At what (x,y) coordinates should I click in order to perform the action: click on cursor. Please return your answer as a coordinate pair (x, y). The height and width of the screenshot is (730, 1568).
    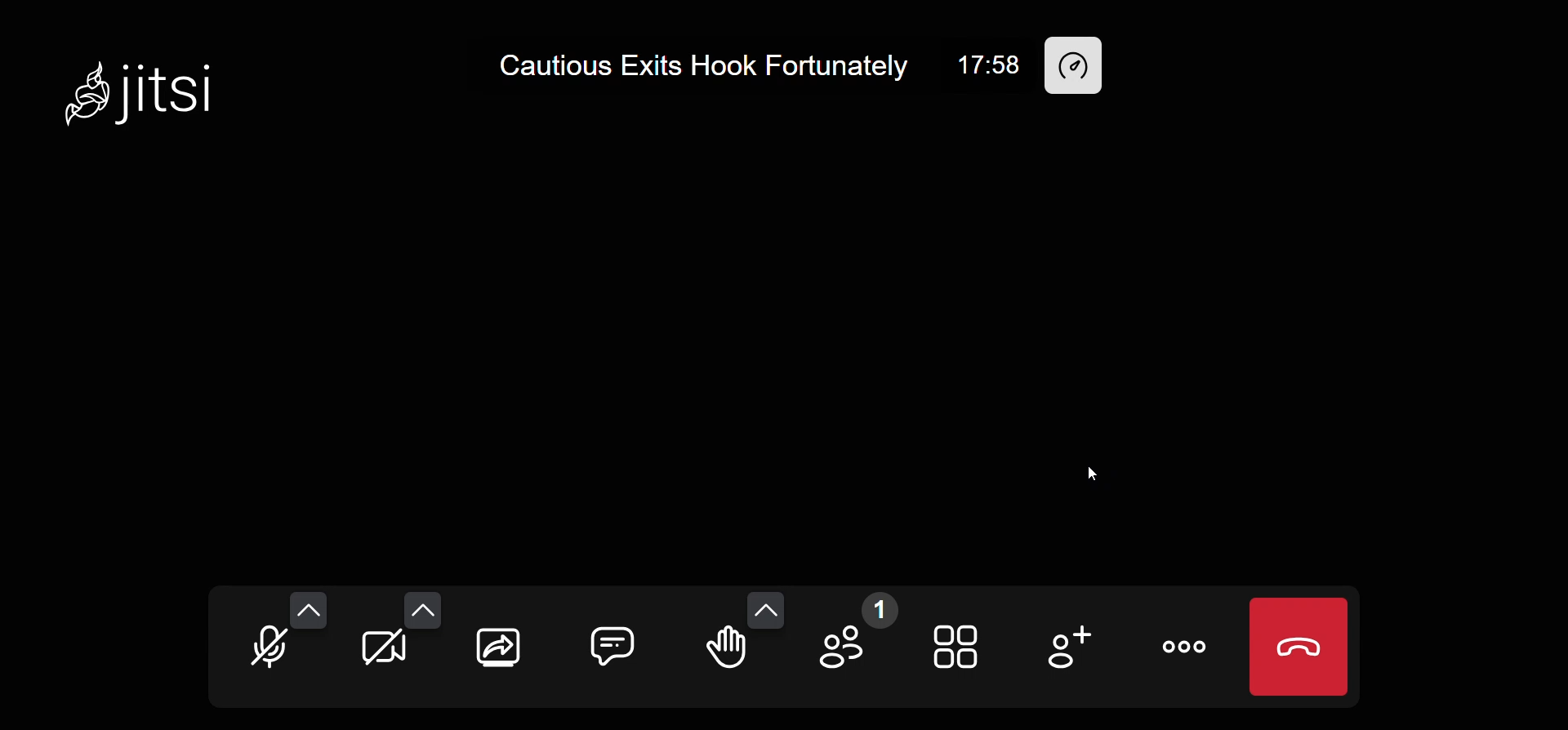
    Looking at the image, I should click on (1093, 467).